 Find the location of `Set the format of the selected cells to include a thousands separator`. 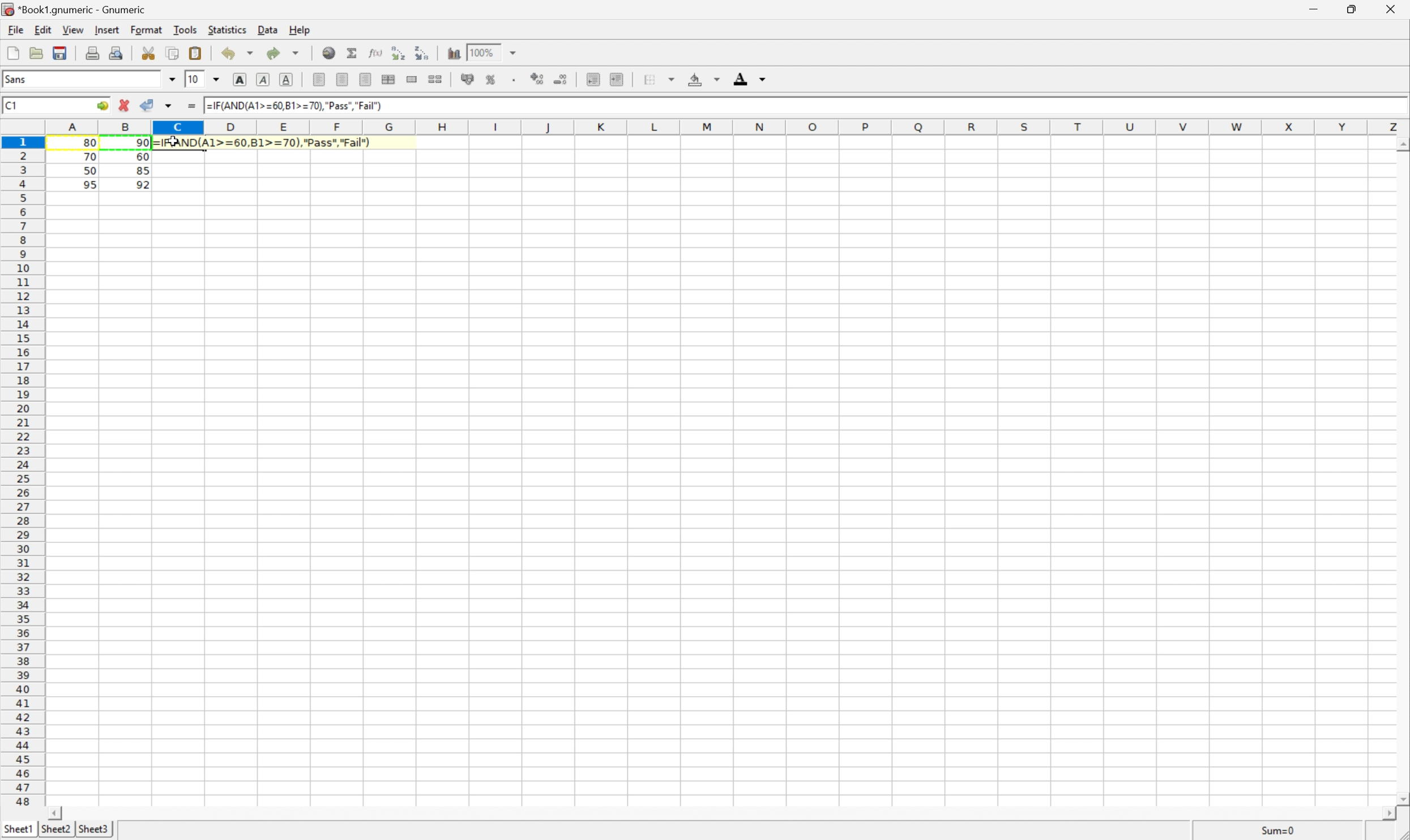

Set the format of the selected cells to include a thousands separator is located at coordinates (516, 77).